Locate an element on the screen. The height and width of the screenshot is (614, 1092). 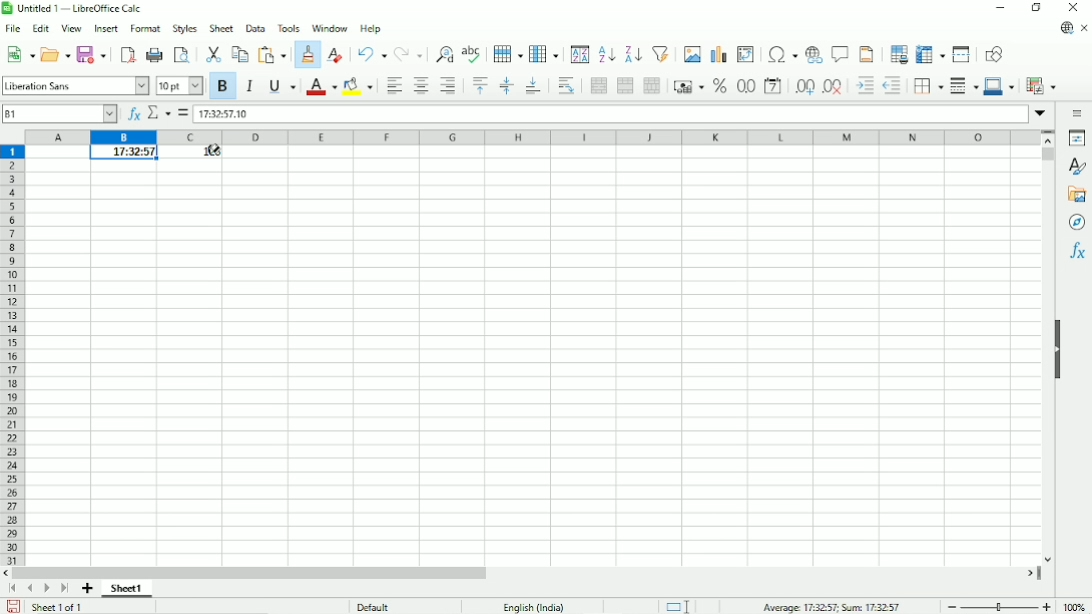
Align left is located at coordinates (393, 85).